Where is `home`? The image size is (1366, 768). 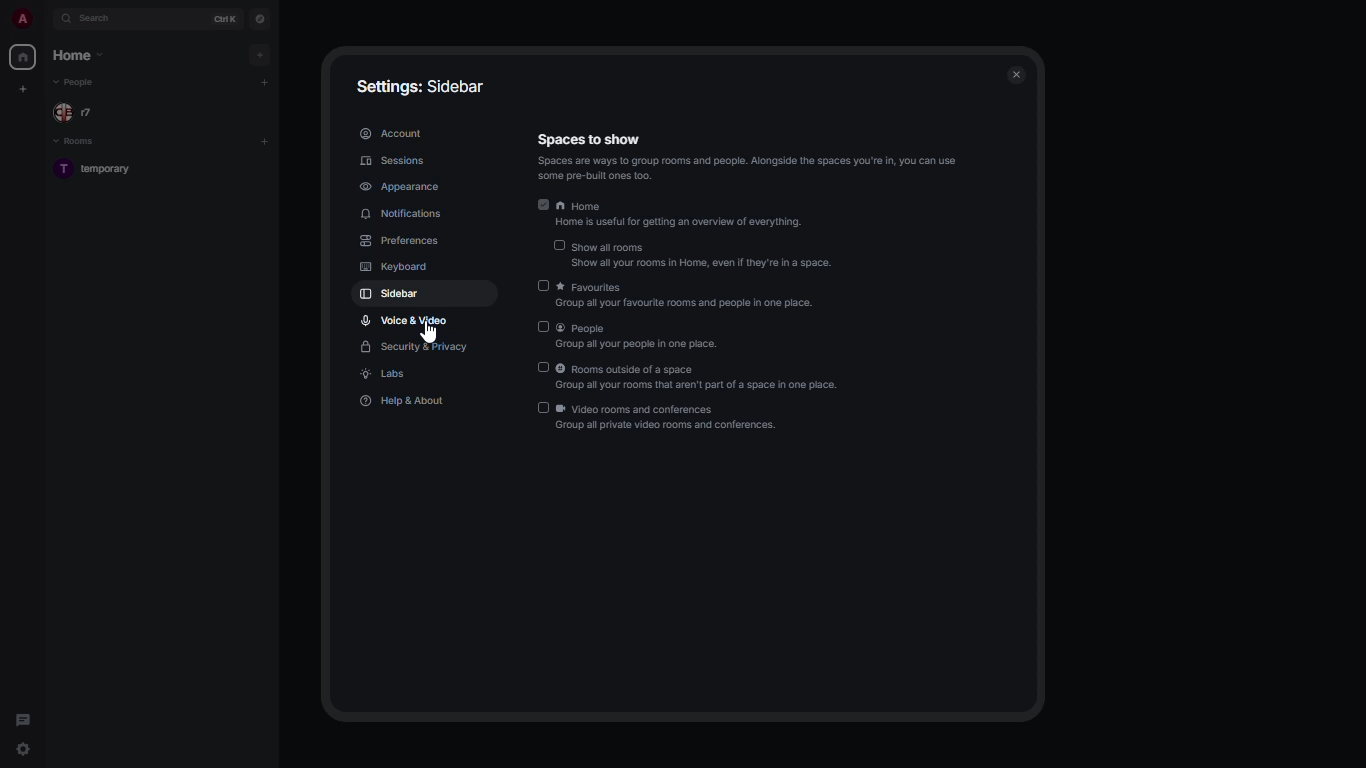
home is located at coordinates (24, 57).